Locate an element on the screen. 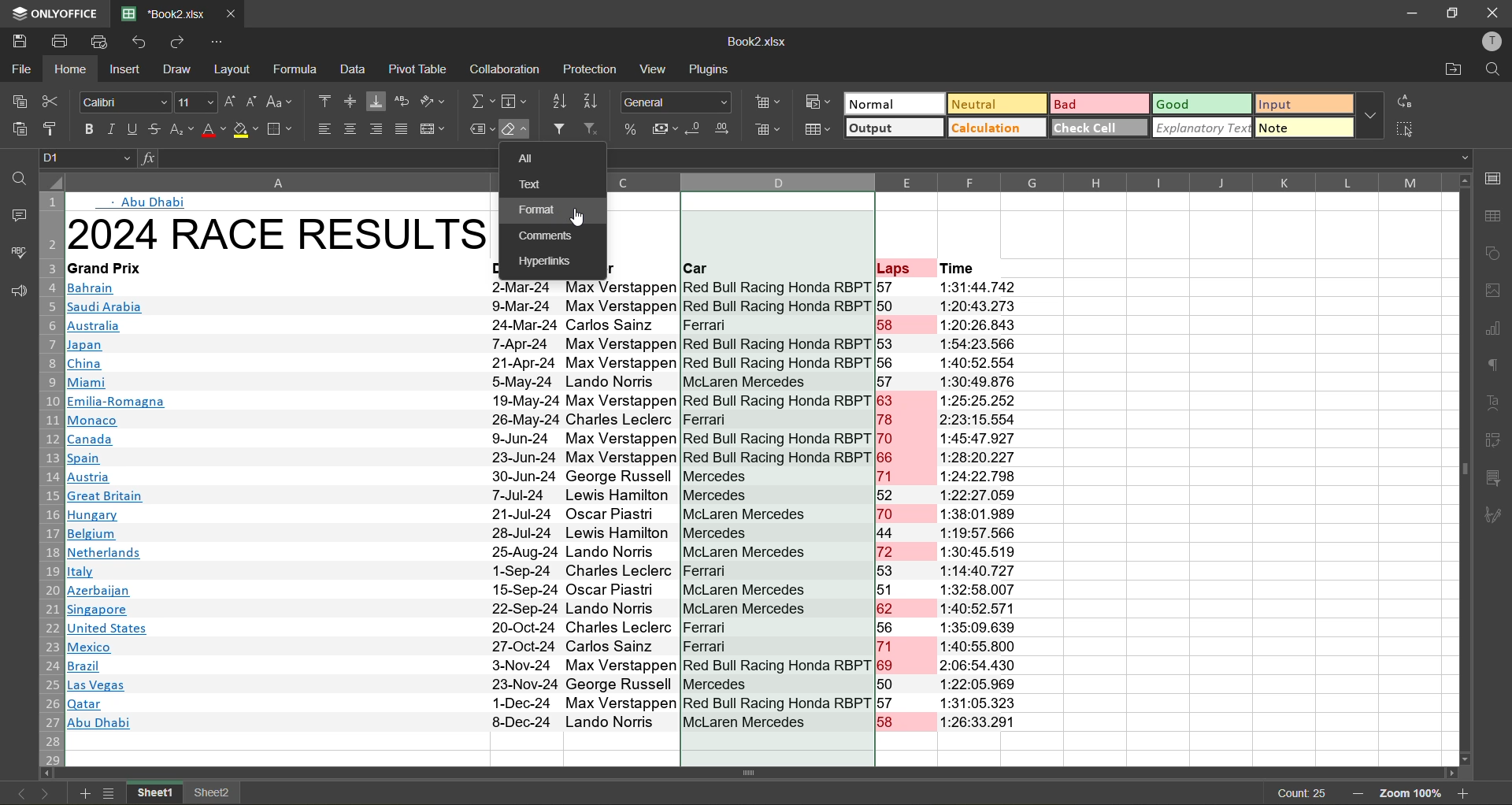 The width and height of the screenshot is (1512, 805). formula is located at coordinates (298, 69).